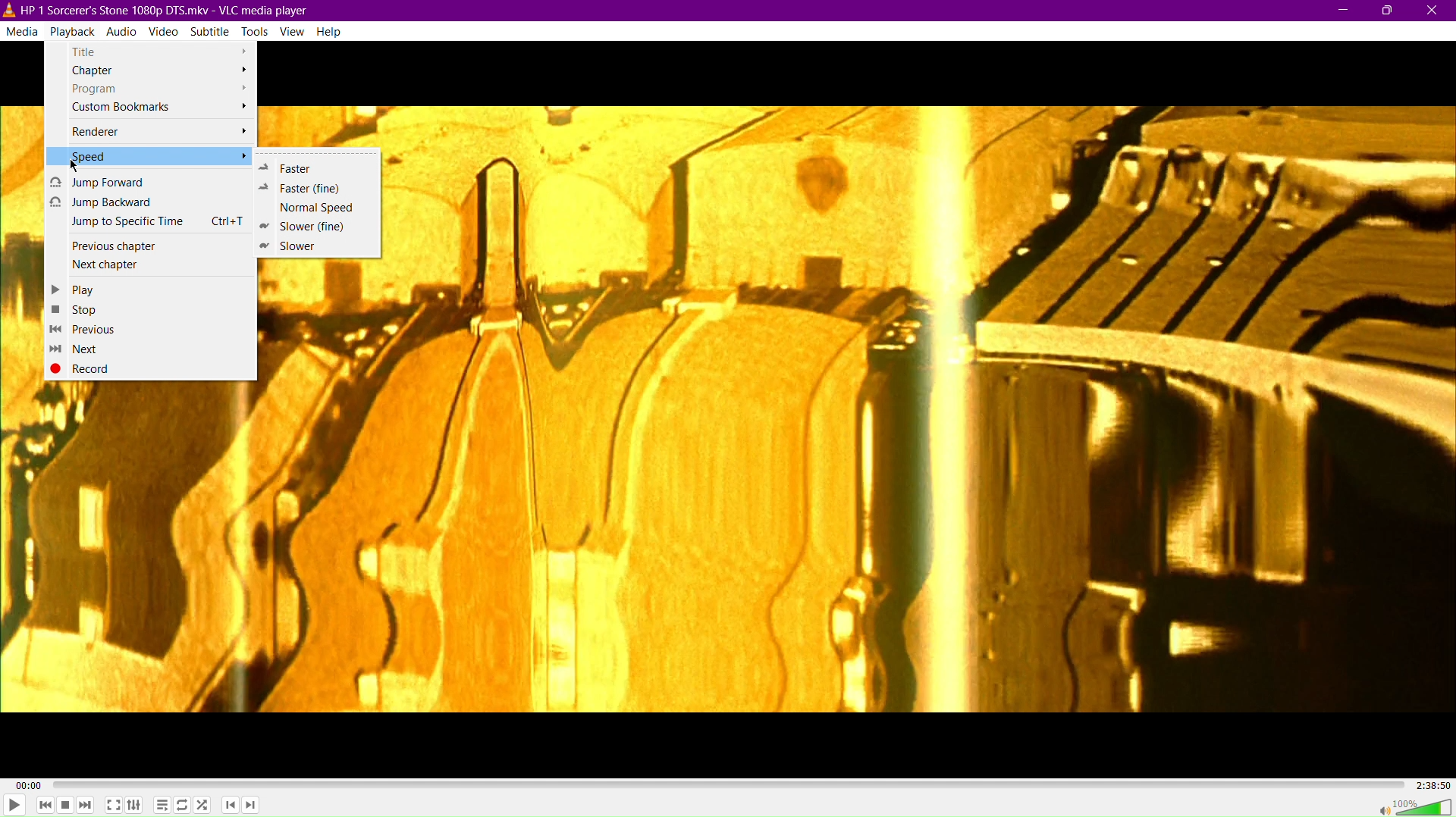 This screenshot has height=817, width=1456. I want to click on Minimize, so click(1343, 11).